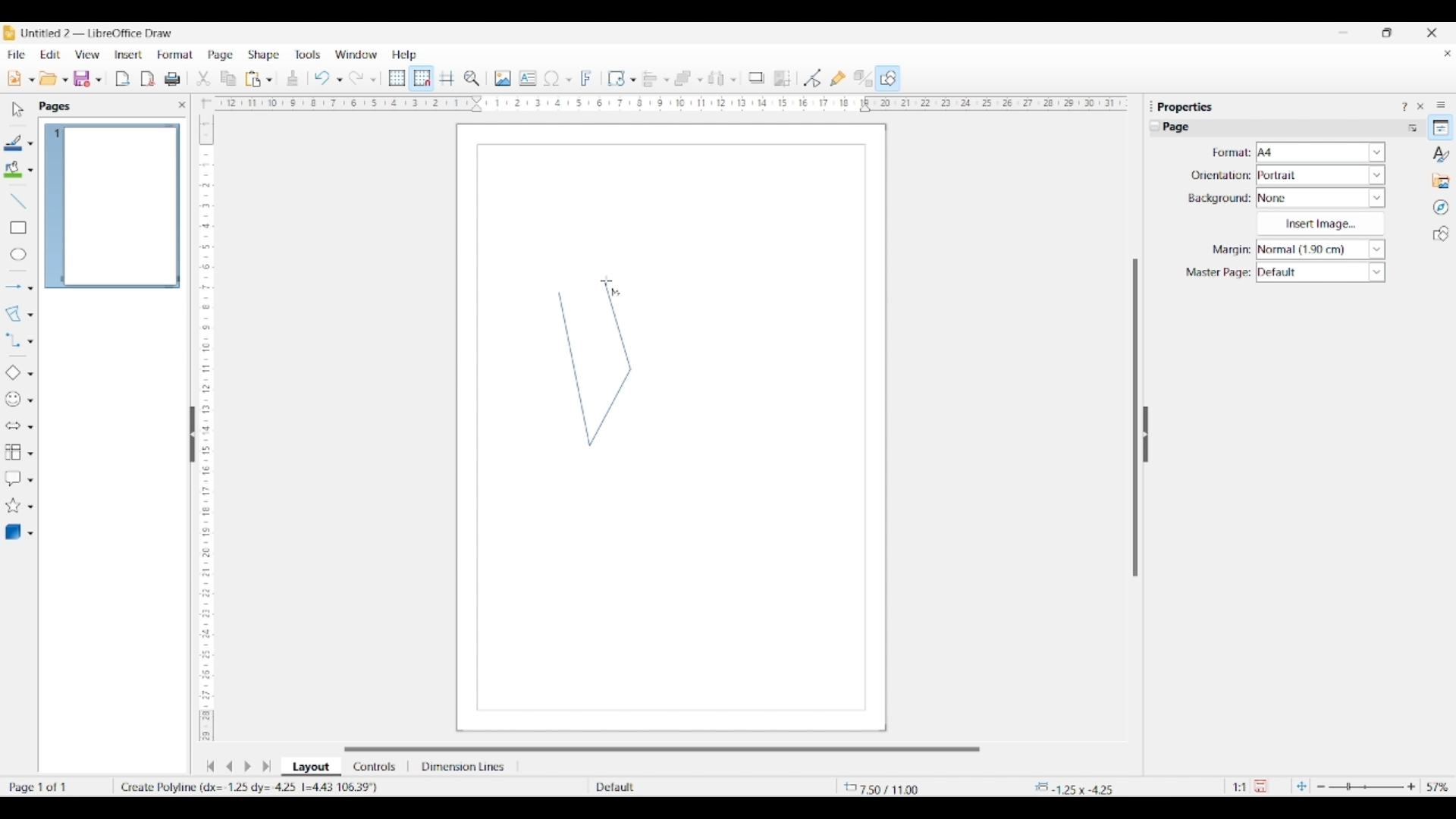 The width and height of the screenshot is (1456, 819). What do you see at coordinates (12, 339) in the screenshot?
I see `Selected connector` at bounding box center [12, 339].